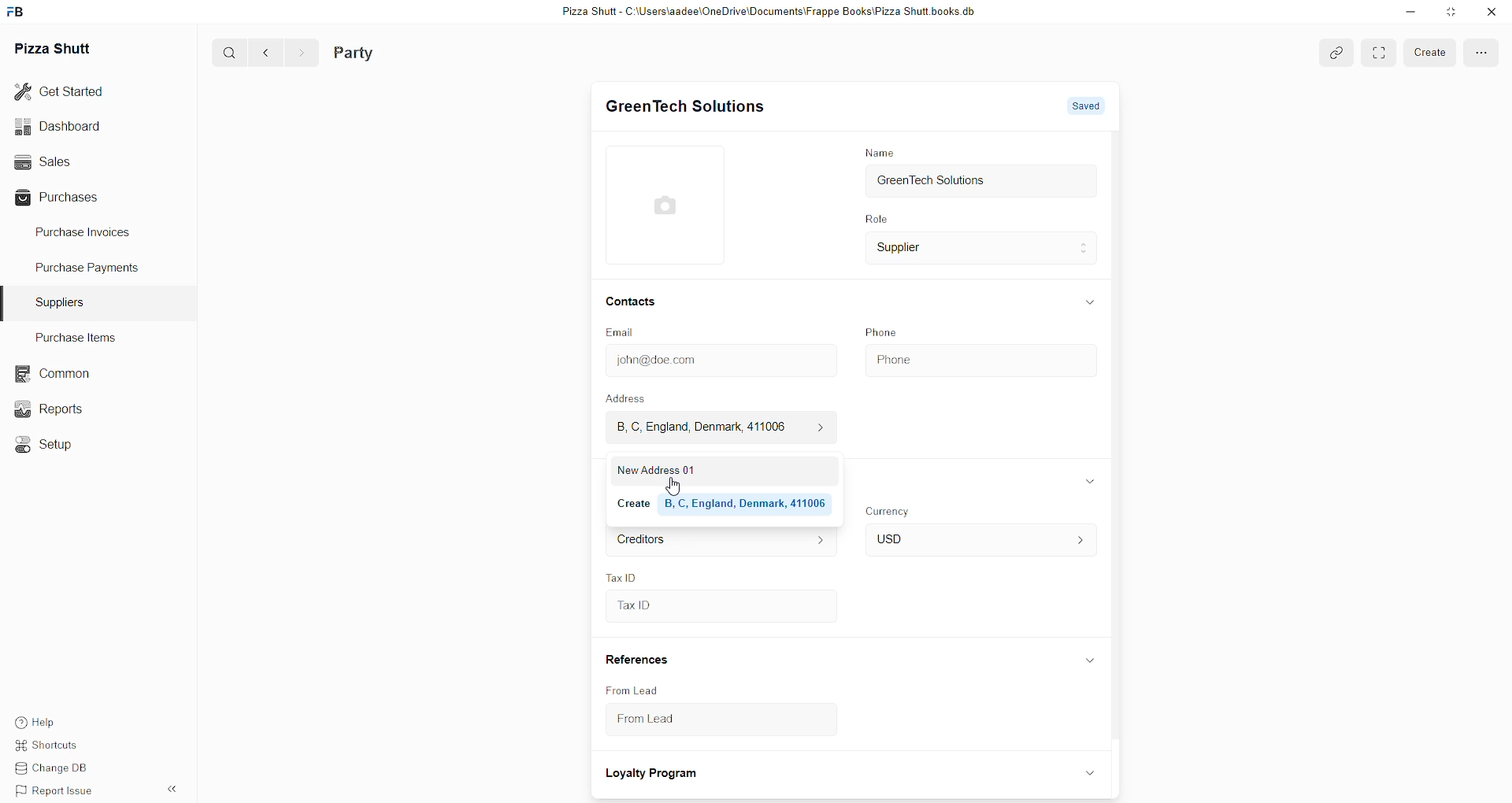  I want to click on GreenTech Solutions, so click(981, 183).